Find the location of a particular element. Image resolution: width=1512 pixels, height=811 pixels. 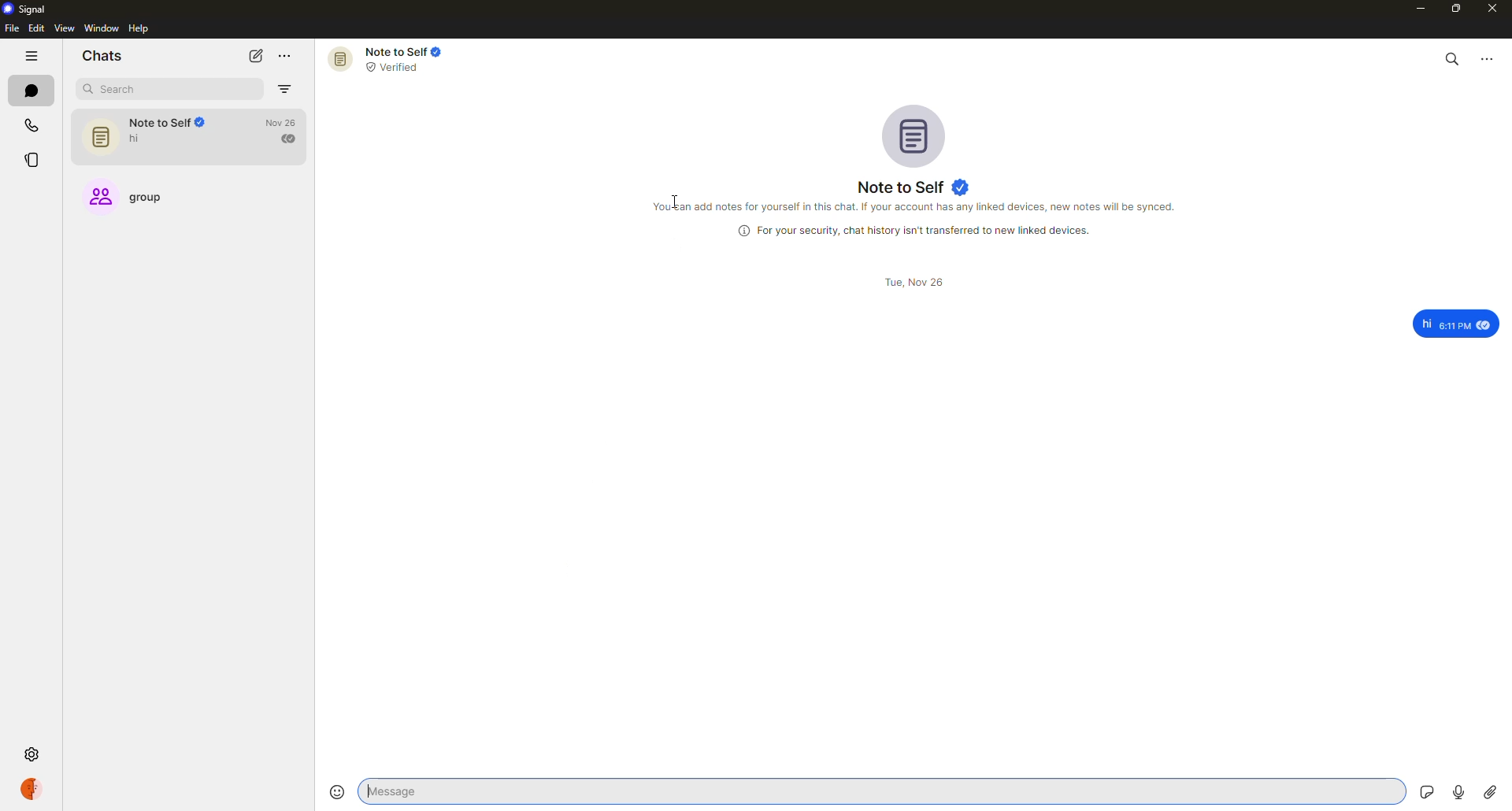

message is located at coordinates (1449, 321).